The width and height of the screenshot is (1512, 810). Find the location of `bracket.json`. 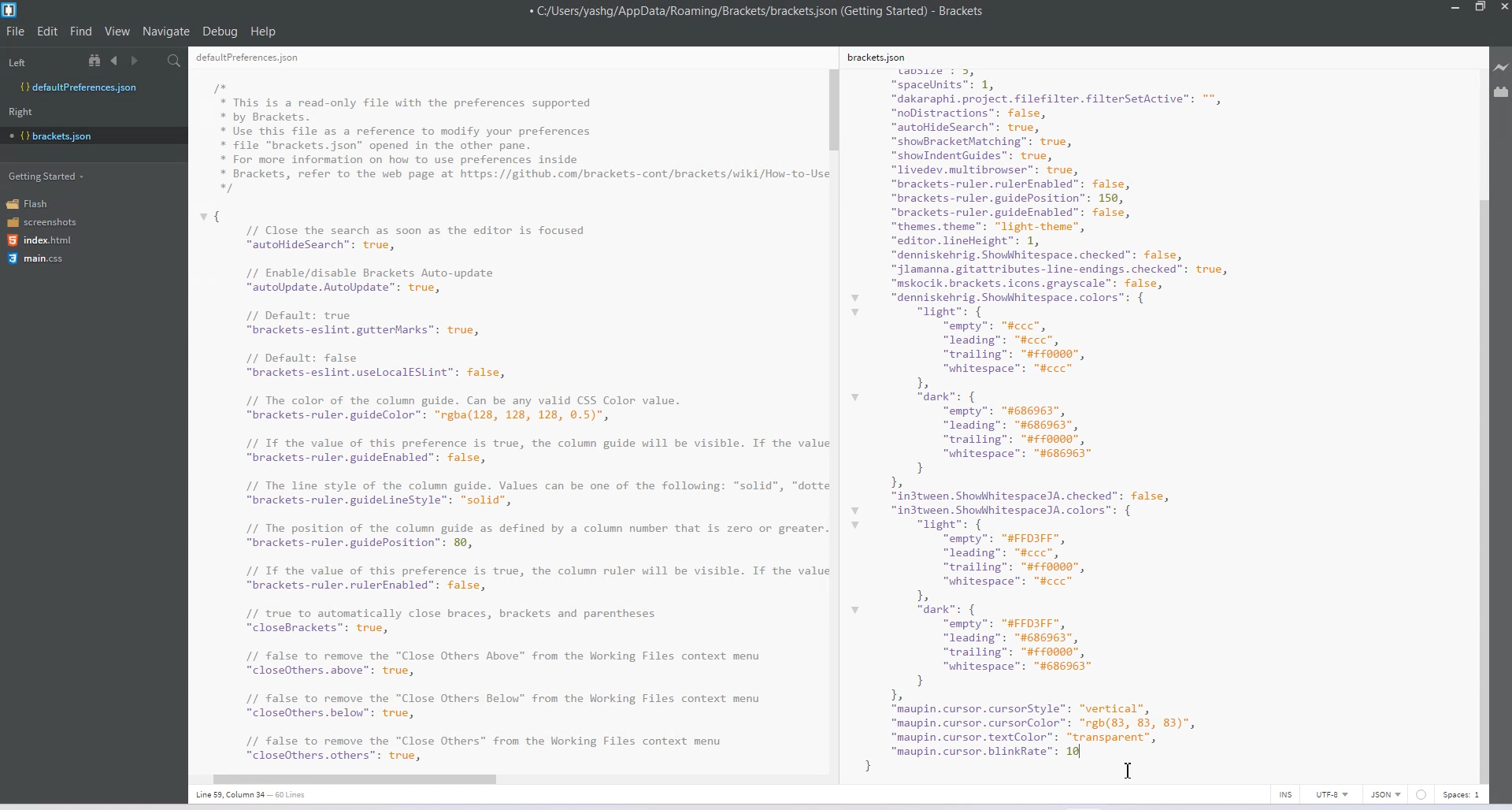

bracket.json is located at coordinates (90, 135).